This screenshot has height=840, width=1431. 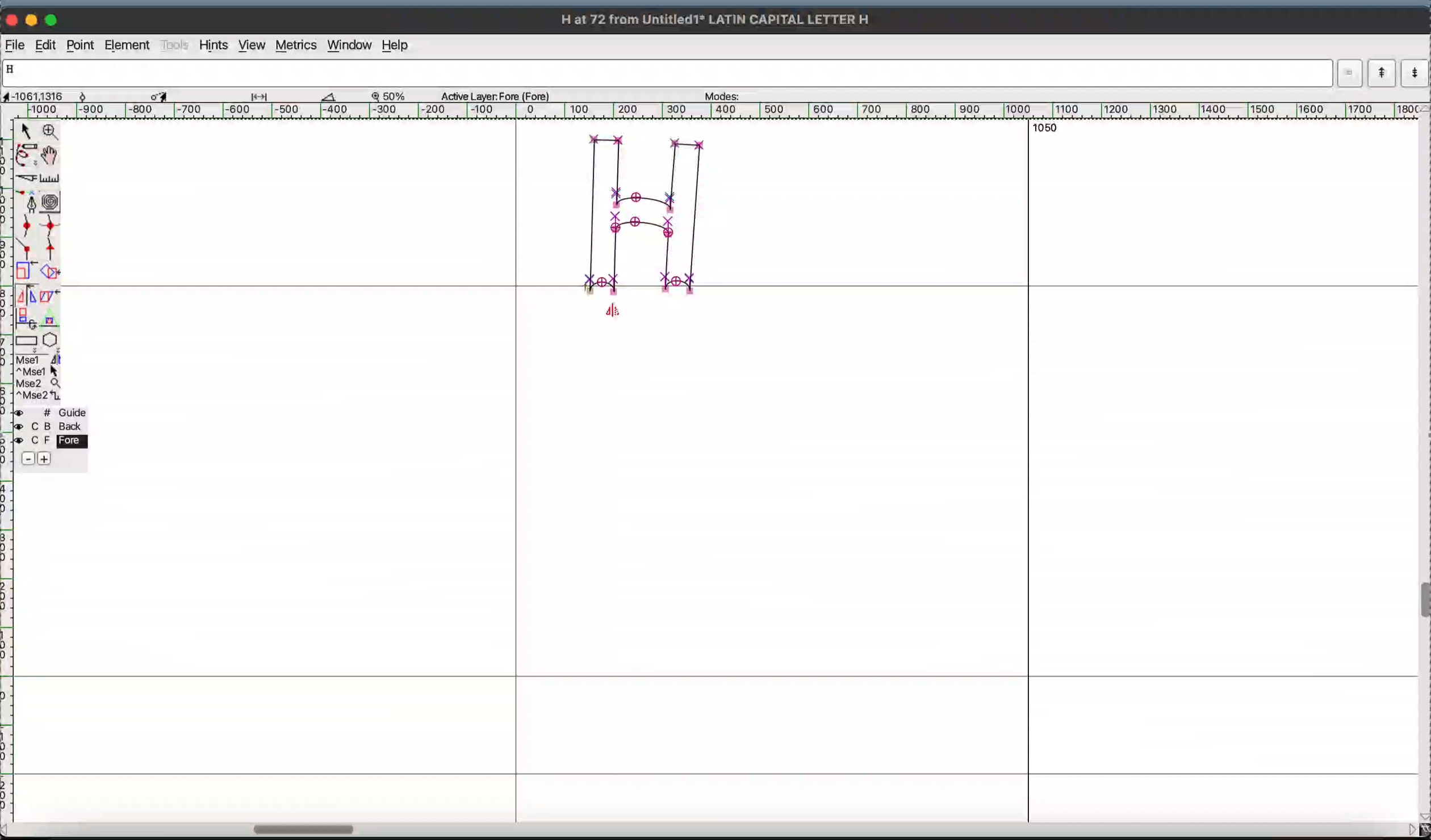 I want to click on ruler, so click(x=10, y=648).